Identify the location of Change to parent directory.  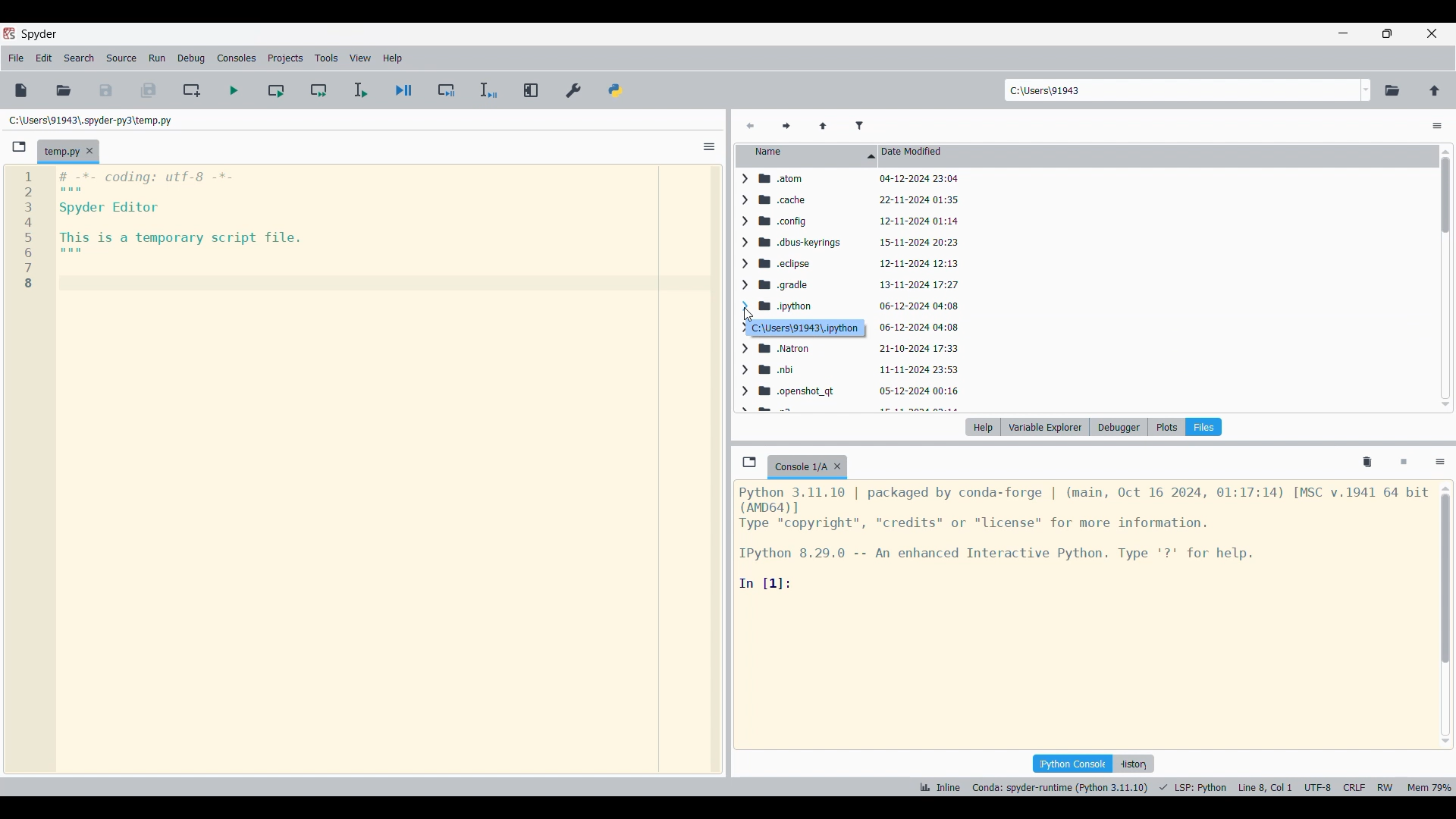
(1435, 91).